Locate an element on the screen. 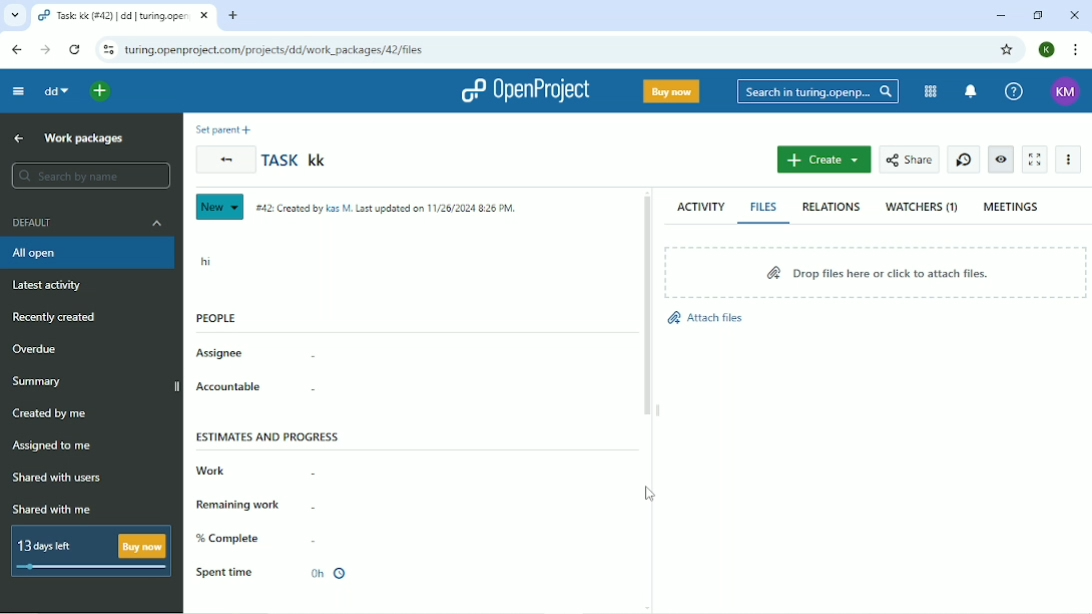 This screenshot has height=614, width=1092. Assigned to me is located at coordinates (51, 445).